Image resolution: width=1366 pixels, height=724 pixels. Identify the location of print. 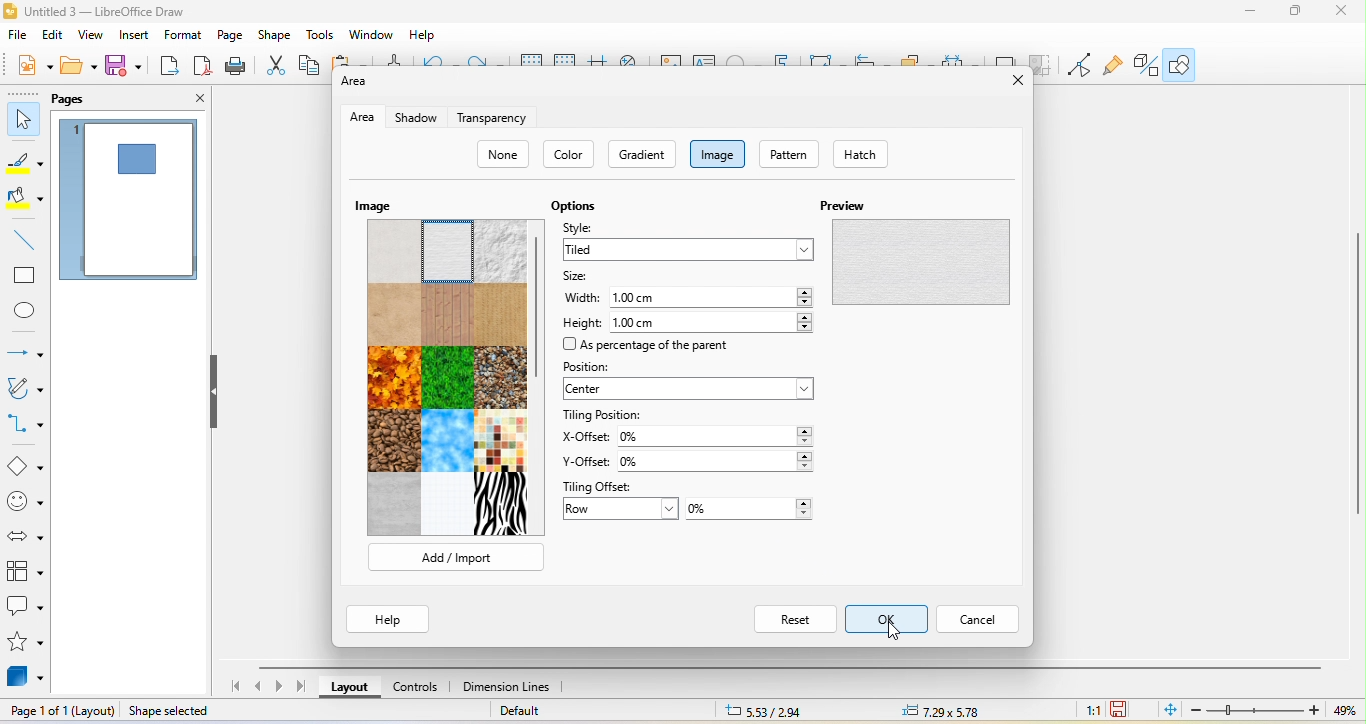
(240, 68).